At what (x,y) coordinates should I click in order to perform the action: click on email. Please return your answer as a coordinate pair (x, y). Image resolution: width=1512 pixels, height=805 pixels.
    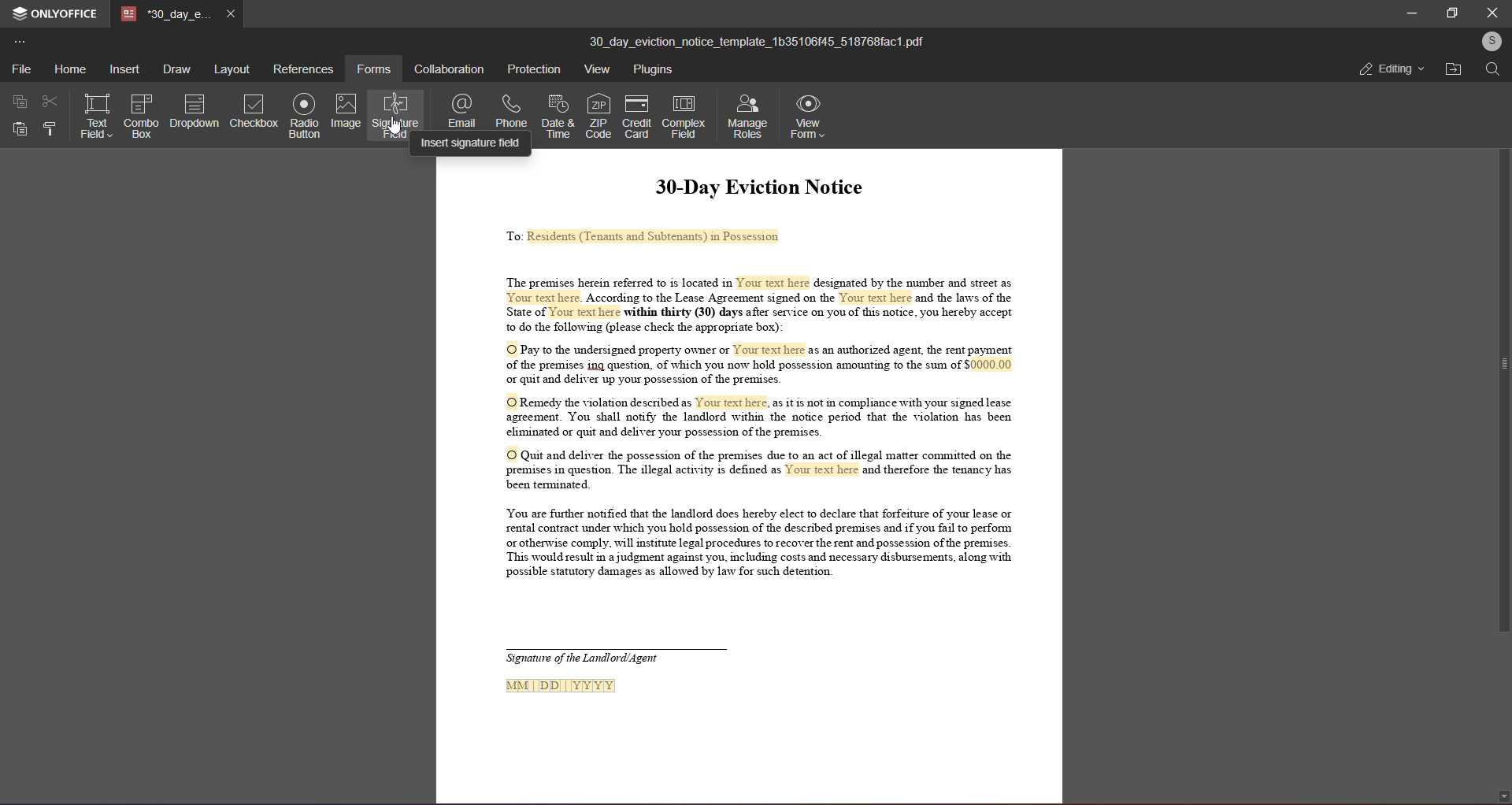
    Looking at the image, I should click on (460, 108).